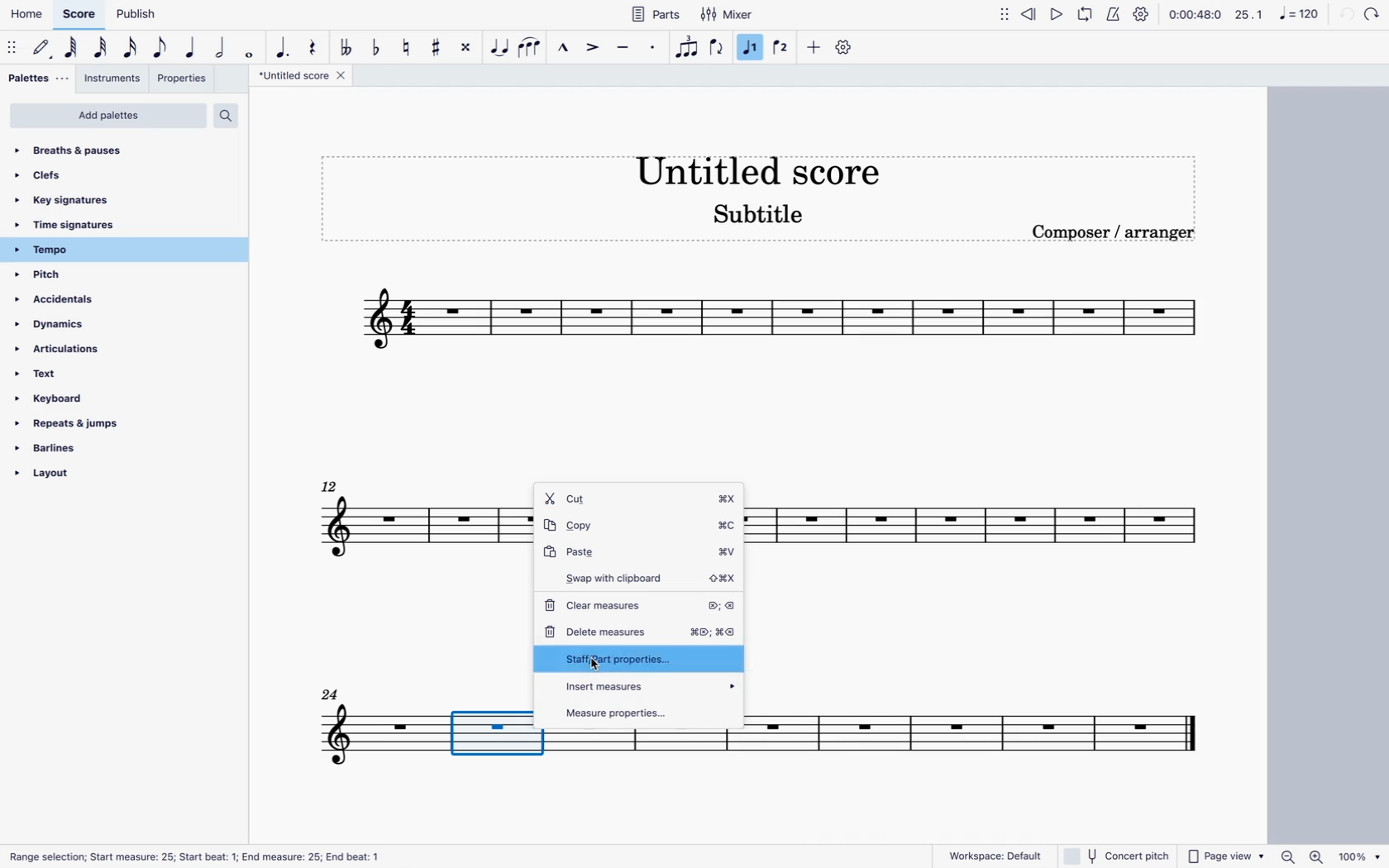 Image resolution: width=1389 pixels, height=868 pixels. What do you see at coordinates (774, 322) in the screenshot?
I see `score` at bounding box center [774, 322].